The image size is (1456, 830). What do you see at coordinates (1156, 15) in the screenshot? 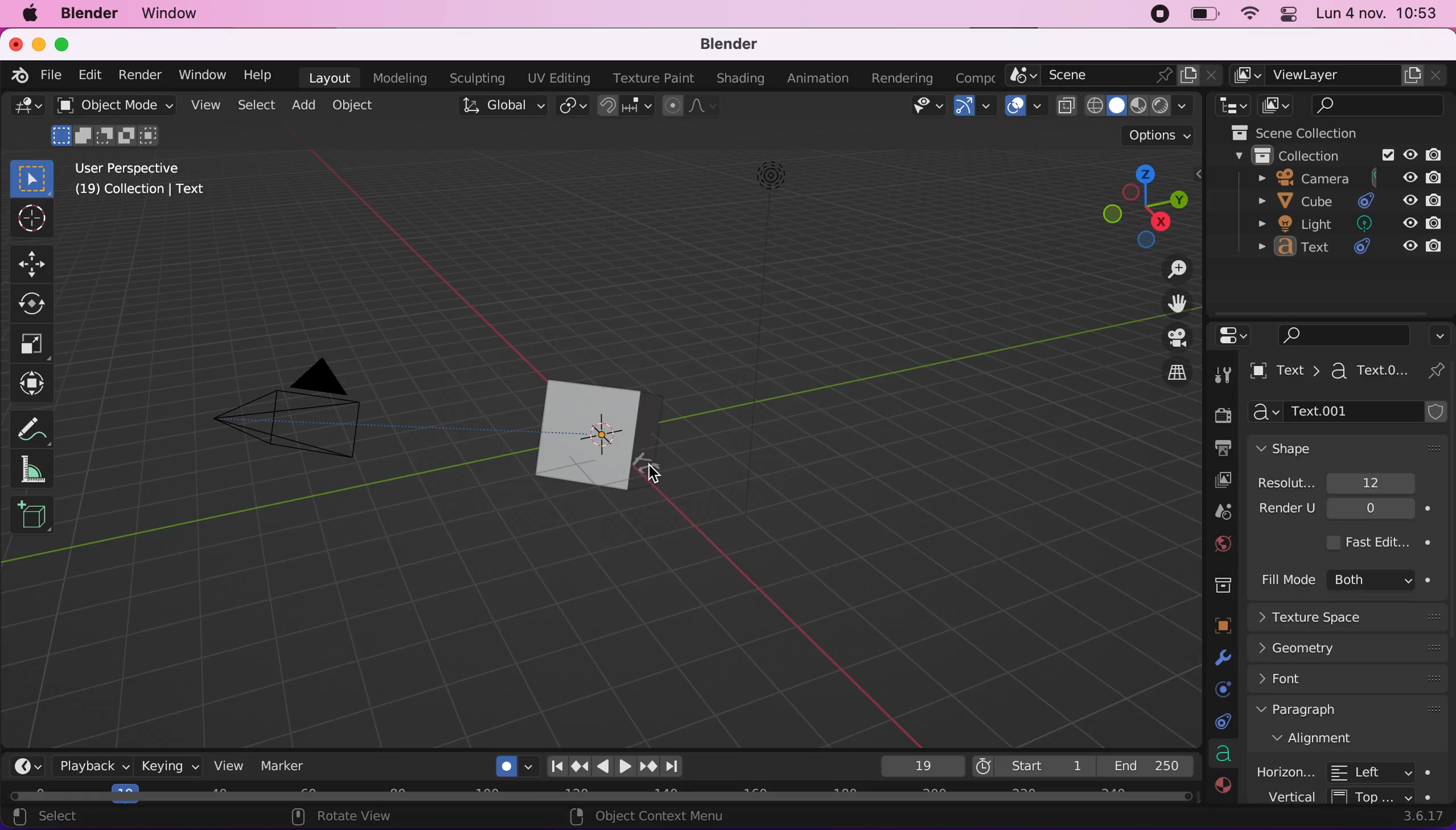
I see `recording stopped` at bounding box center [1156, 15].